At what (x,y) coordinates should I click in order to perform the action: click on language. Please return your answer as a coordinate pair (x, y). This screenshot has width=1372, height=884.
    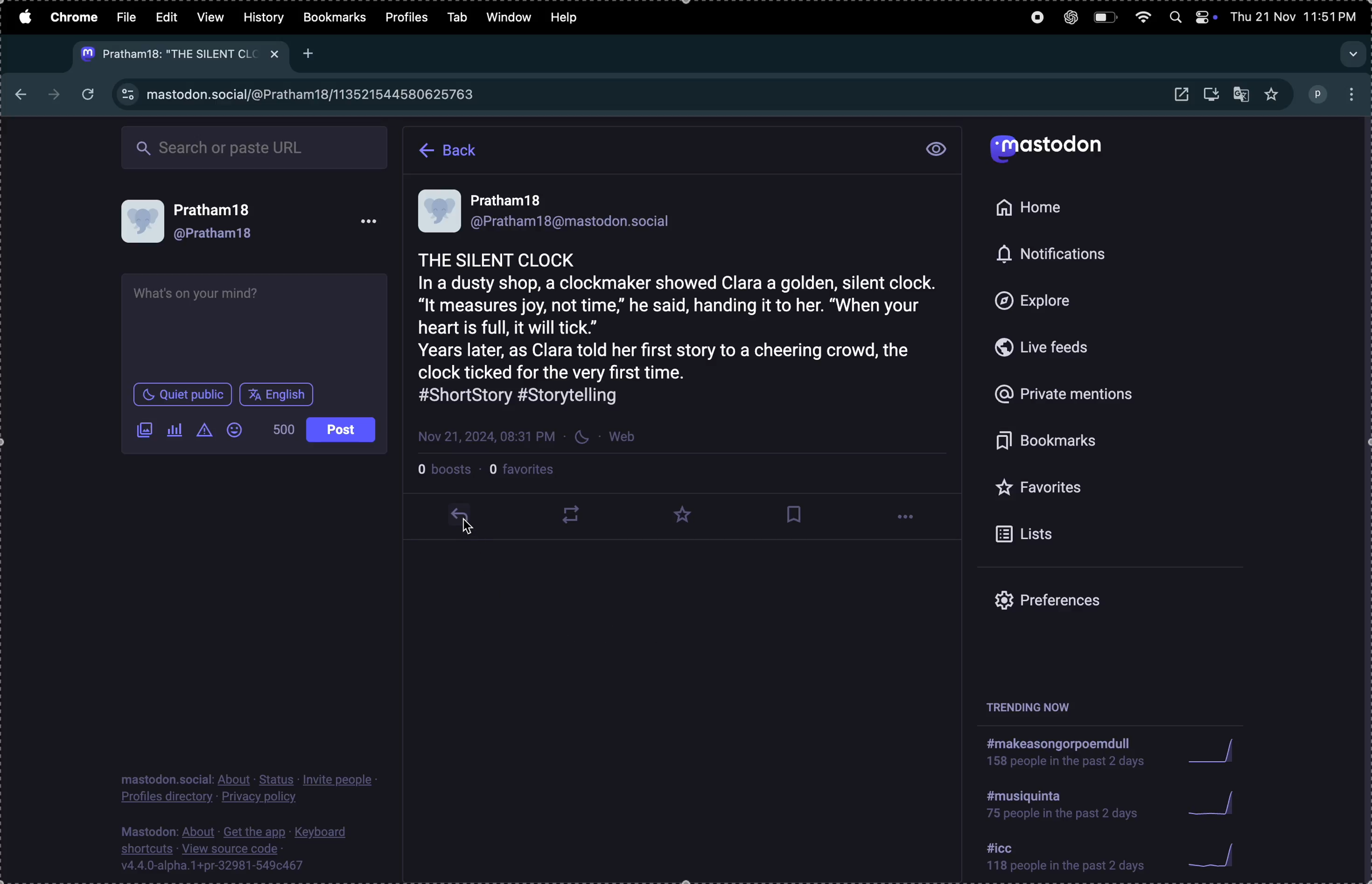
    Looking at the image, I should click on (279, 394).